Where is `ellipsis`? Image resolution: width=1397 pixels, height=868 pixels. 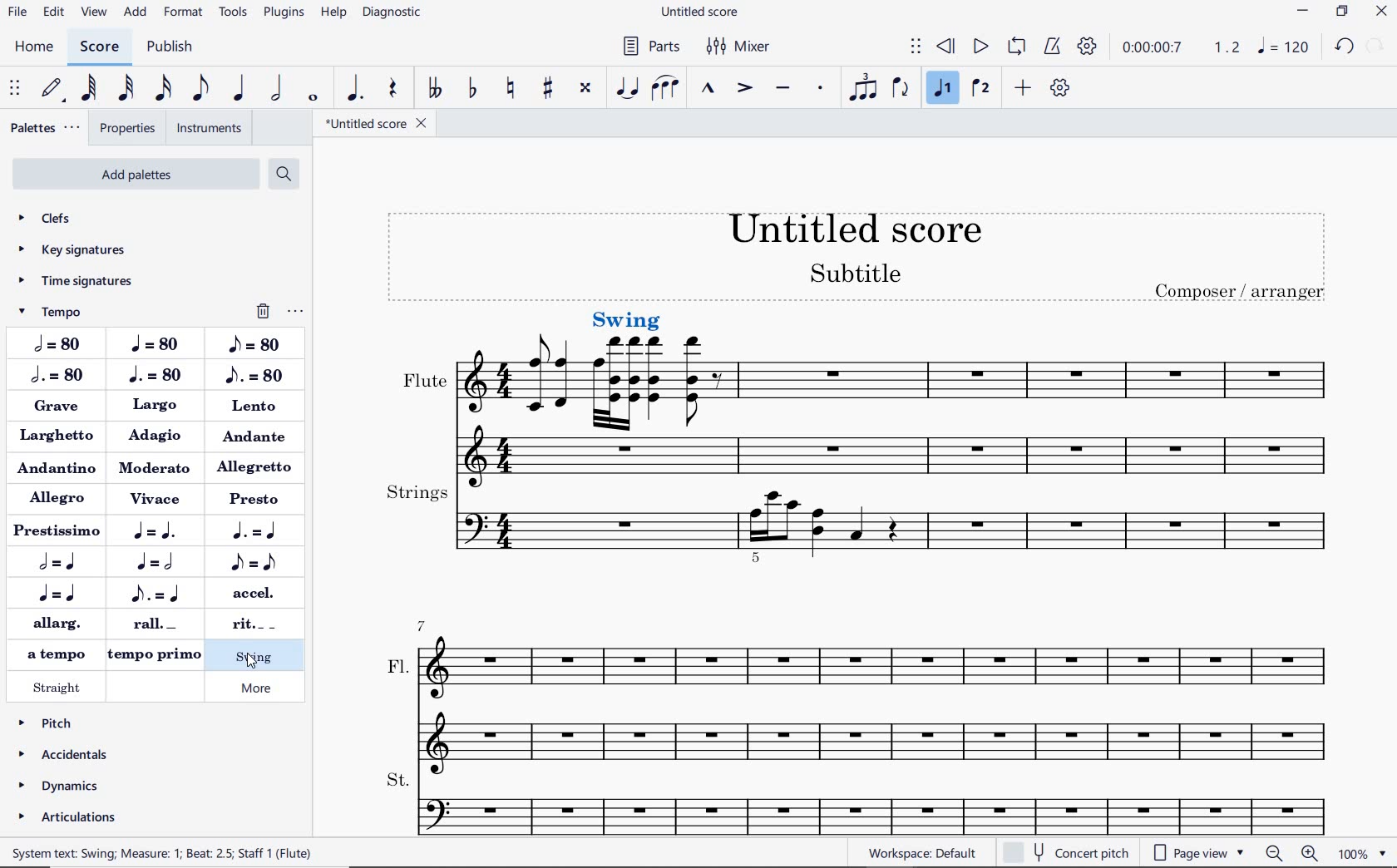 ellipsis is located at coordinates (294, 311).